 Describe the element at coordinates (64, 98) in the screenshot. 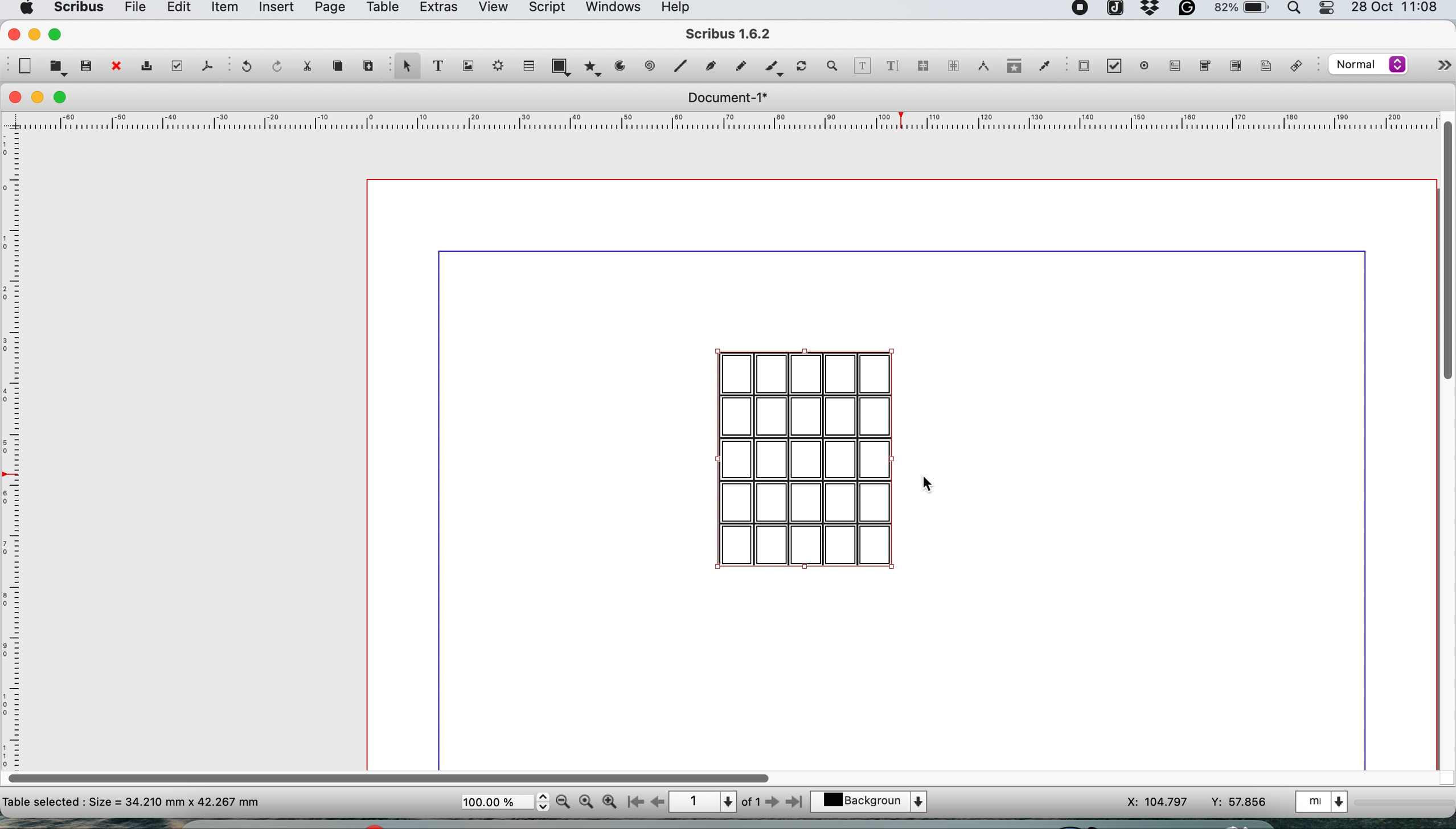

I see `maximise` at that location.